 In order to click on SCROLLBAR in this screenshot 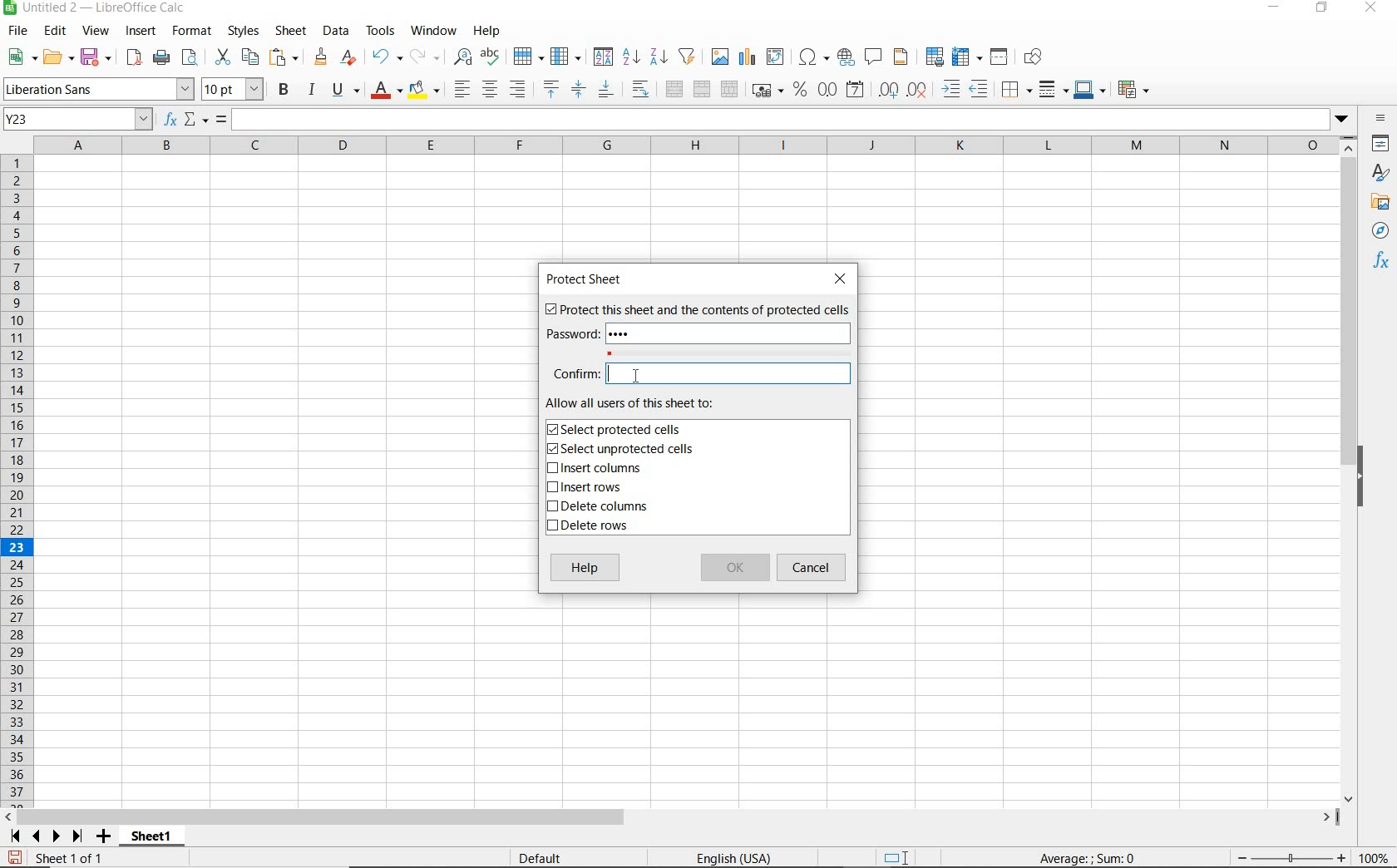, I will do `click(1349, 470)`.